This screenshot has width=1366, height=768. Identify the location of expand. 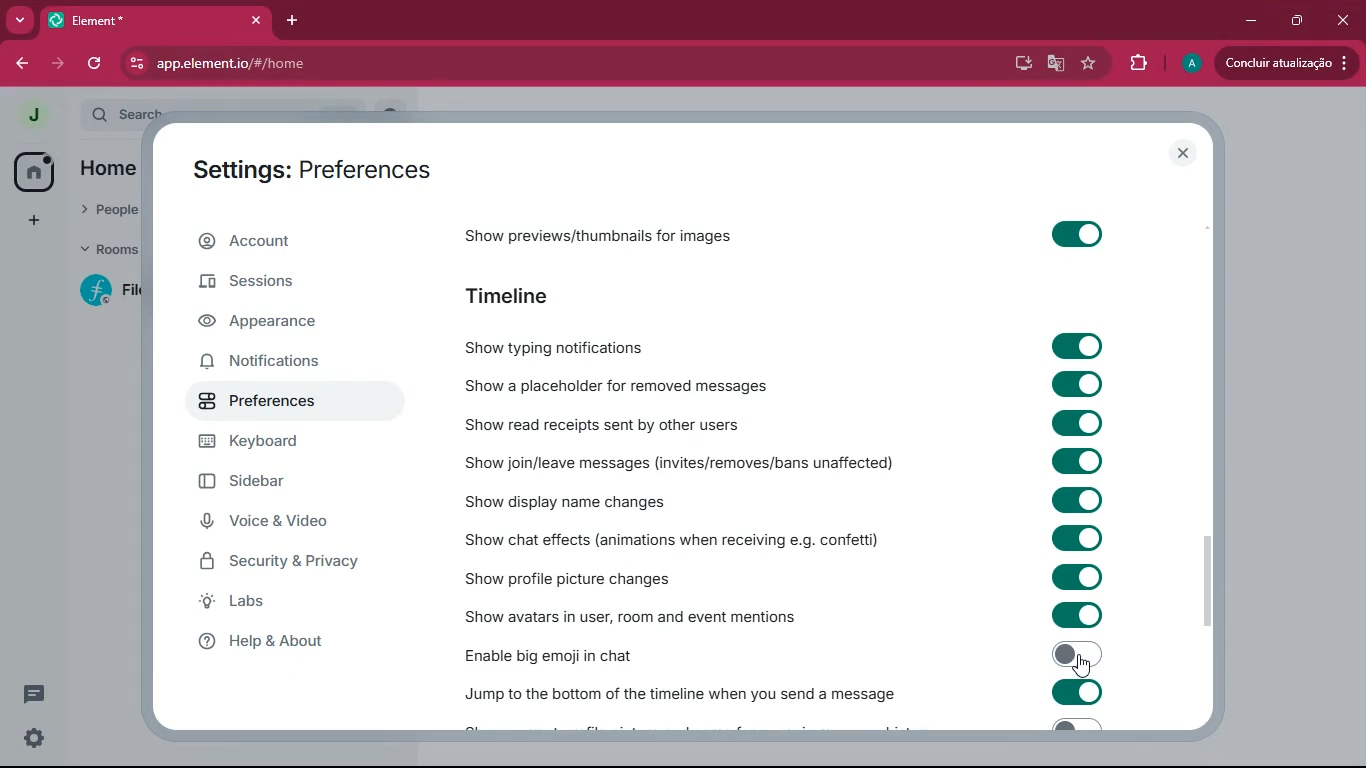
(69, 116).